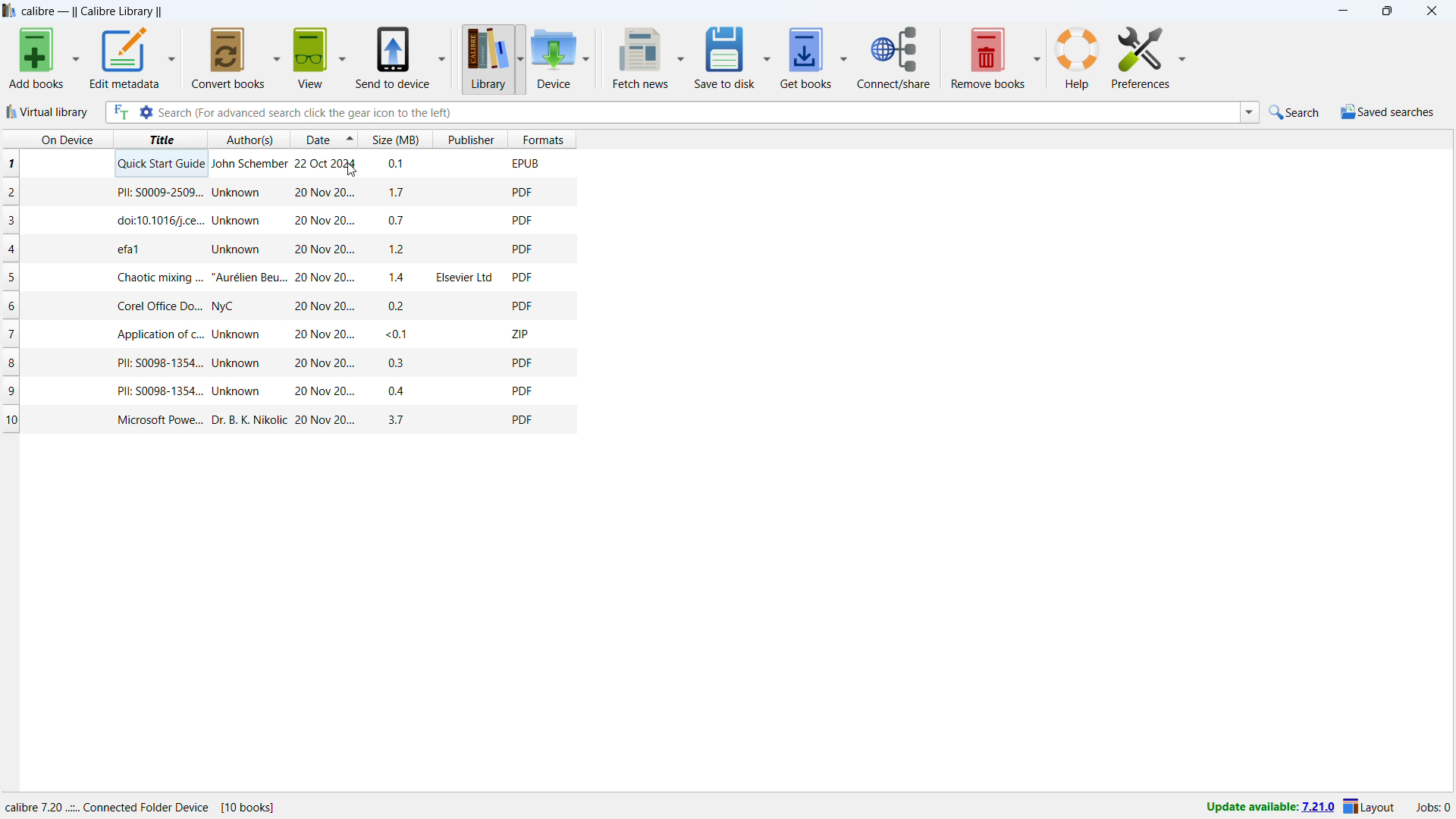 The image size is (1456, 819). Describe the element at coordinates (1434, 809) in the screenshot. I see `active jobs` at that location.